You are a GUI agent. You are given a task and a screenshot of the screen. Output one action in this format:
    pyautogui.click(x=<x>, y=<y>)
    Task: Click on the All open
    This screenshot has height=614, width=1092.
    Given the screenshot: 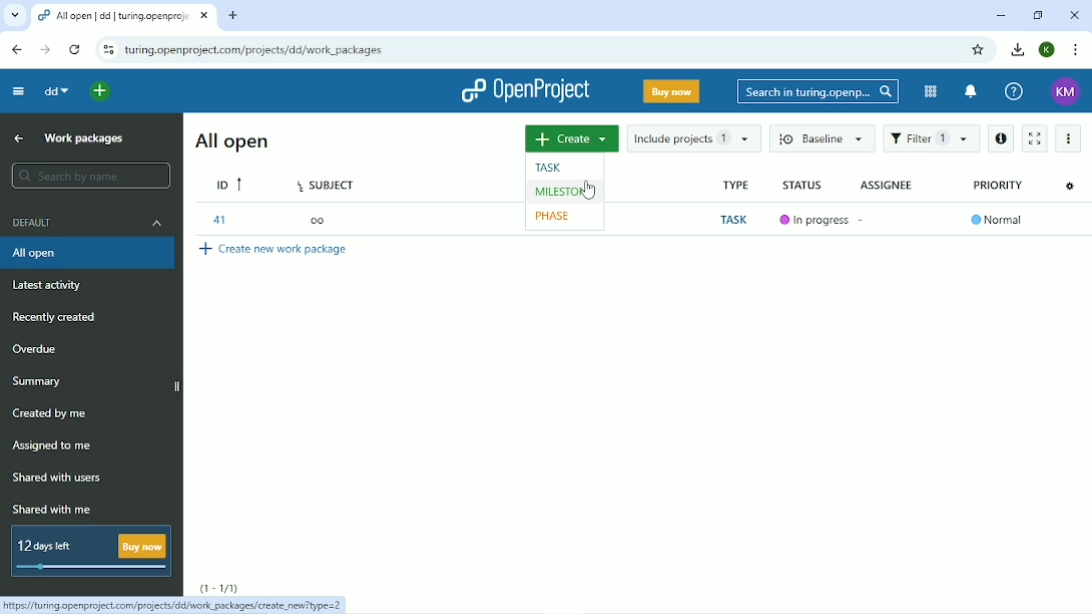 What is the action you would take?
    pyautogui.click(x=90, y=254)
    